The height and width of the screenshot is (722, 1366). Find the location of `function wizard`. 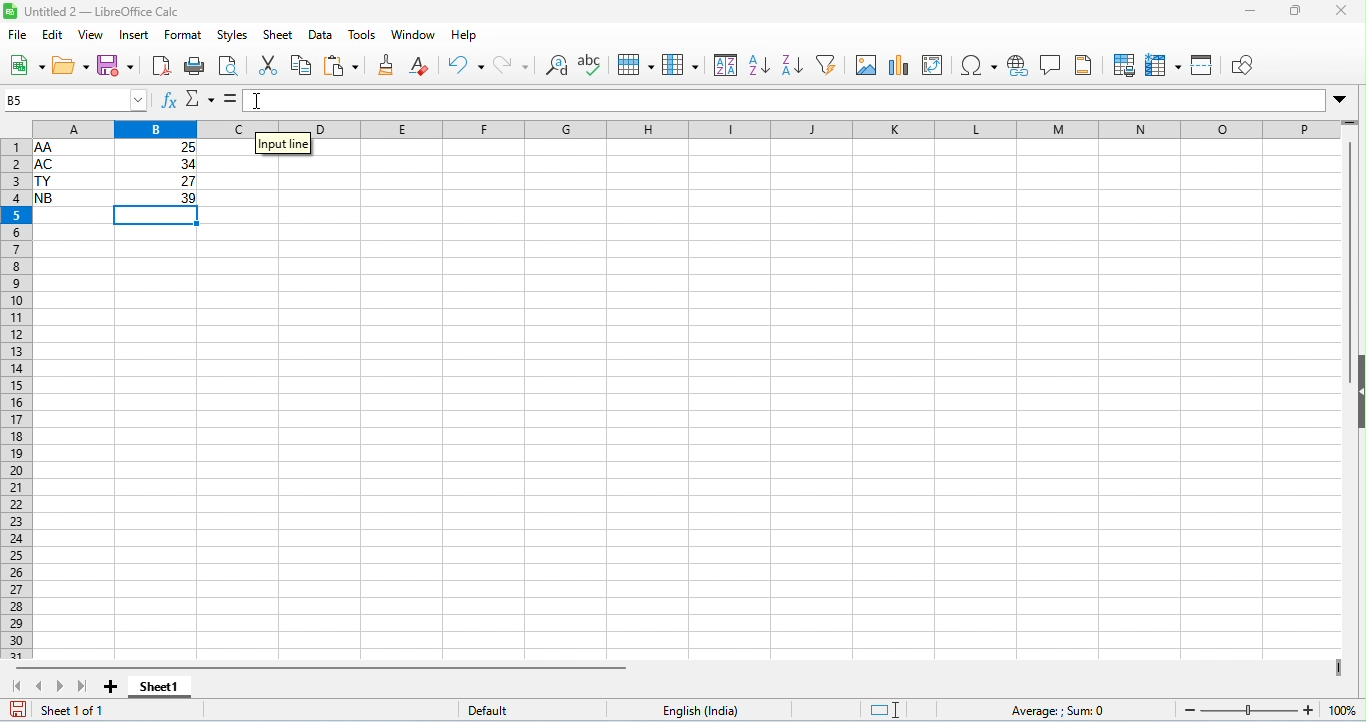

function wizard is located at coordinates (169, 101).